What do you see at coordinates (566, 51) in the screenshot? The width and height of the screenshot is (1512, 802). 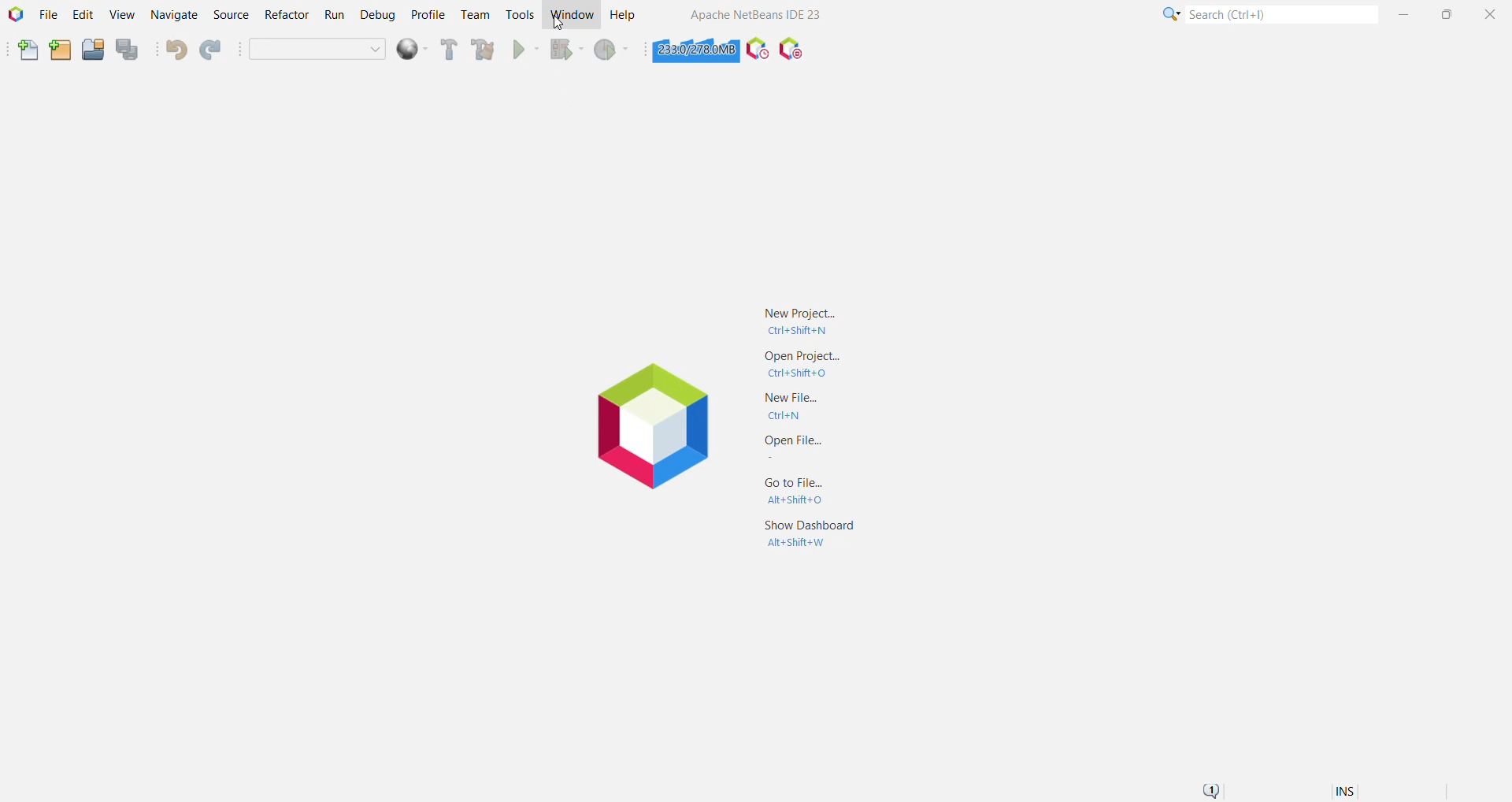 I see `Debug Project` at bounding box center [566, 51].